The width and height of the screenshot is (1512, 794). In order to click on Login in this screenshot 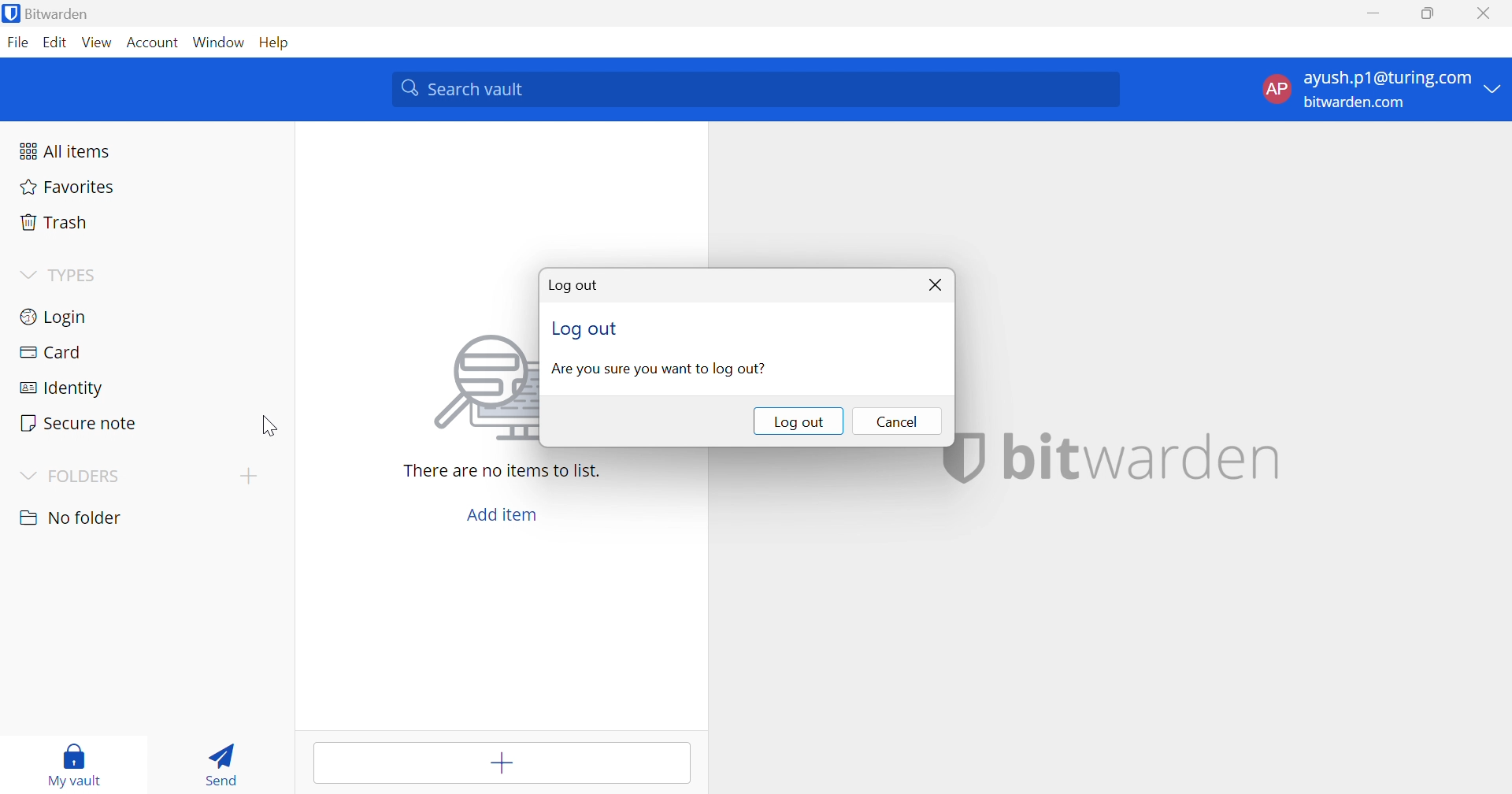, I will do `click(54, 319)`.